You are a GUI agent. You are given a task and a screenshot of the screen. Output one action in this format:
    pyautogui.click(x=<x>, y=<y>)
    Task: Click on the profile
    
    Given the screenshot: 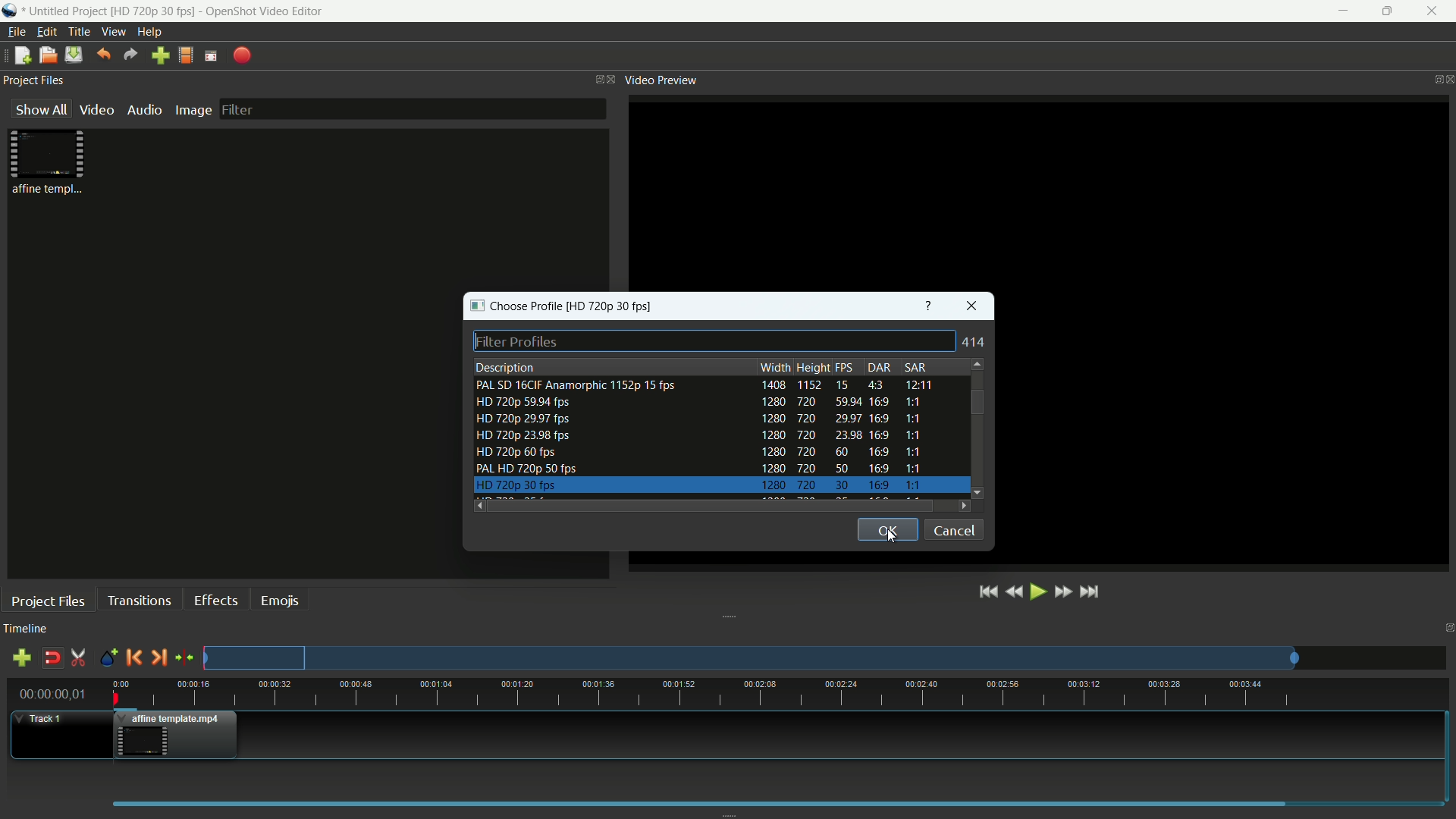 What is the action you would take?
    pyautogui.click(x=152, y=11)
    